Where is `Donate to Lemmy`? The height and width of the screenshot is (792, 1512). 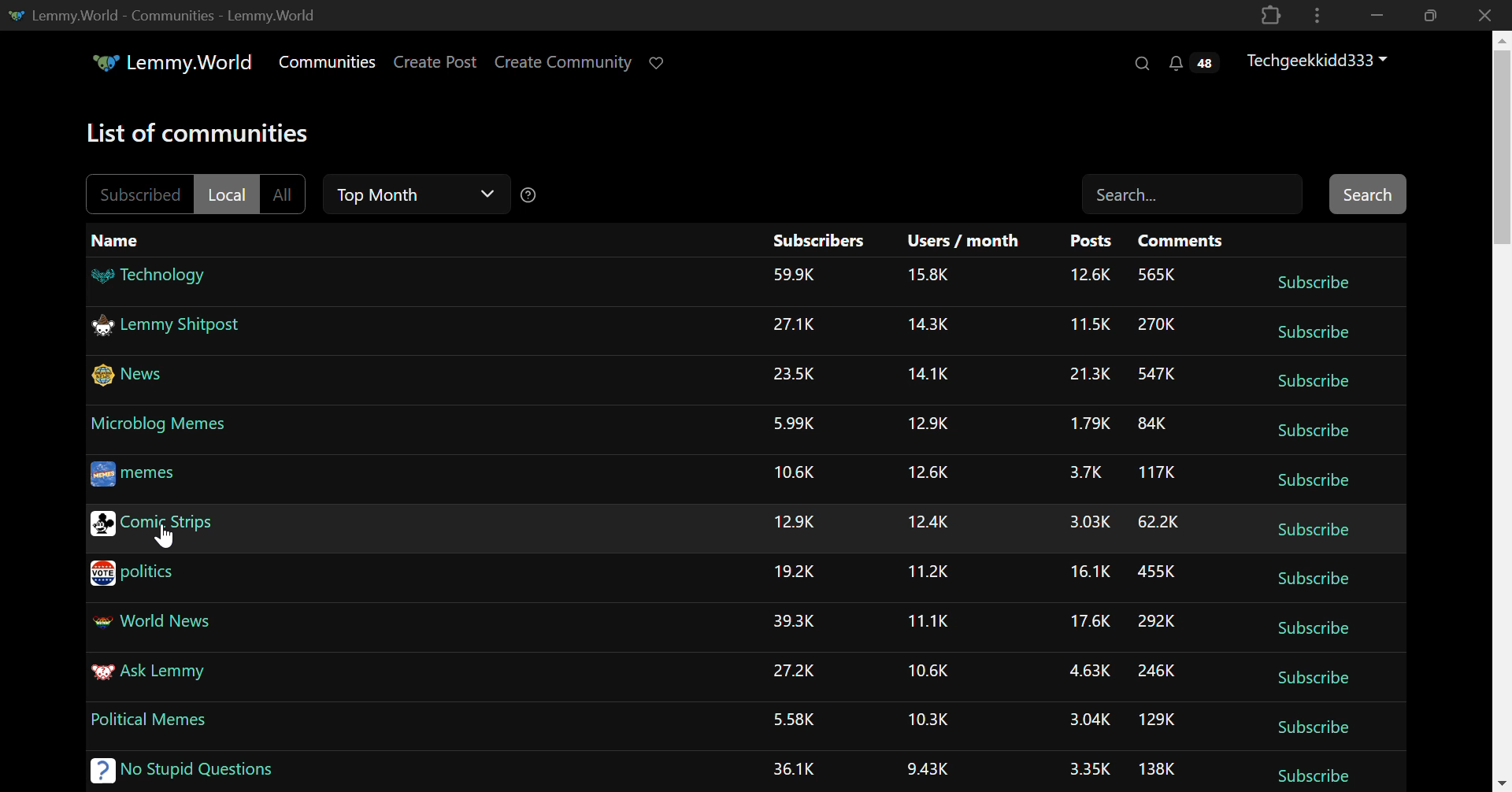
Donate to Lemmy is located at coordinates (658, 63).